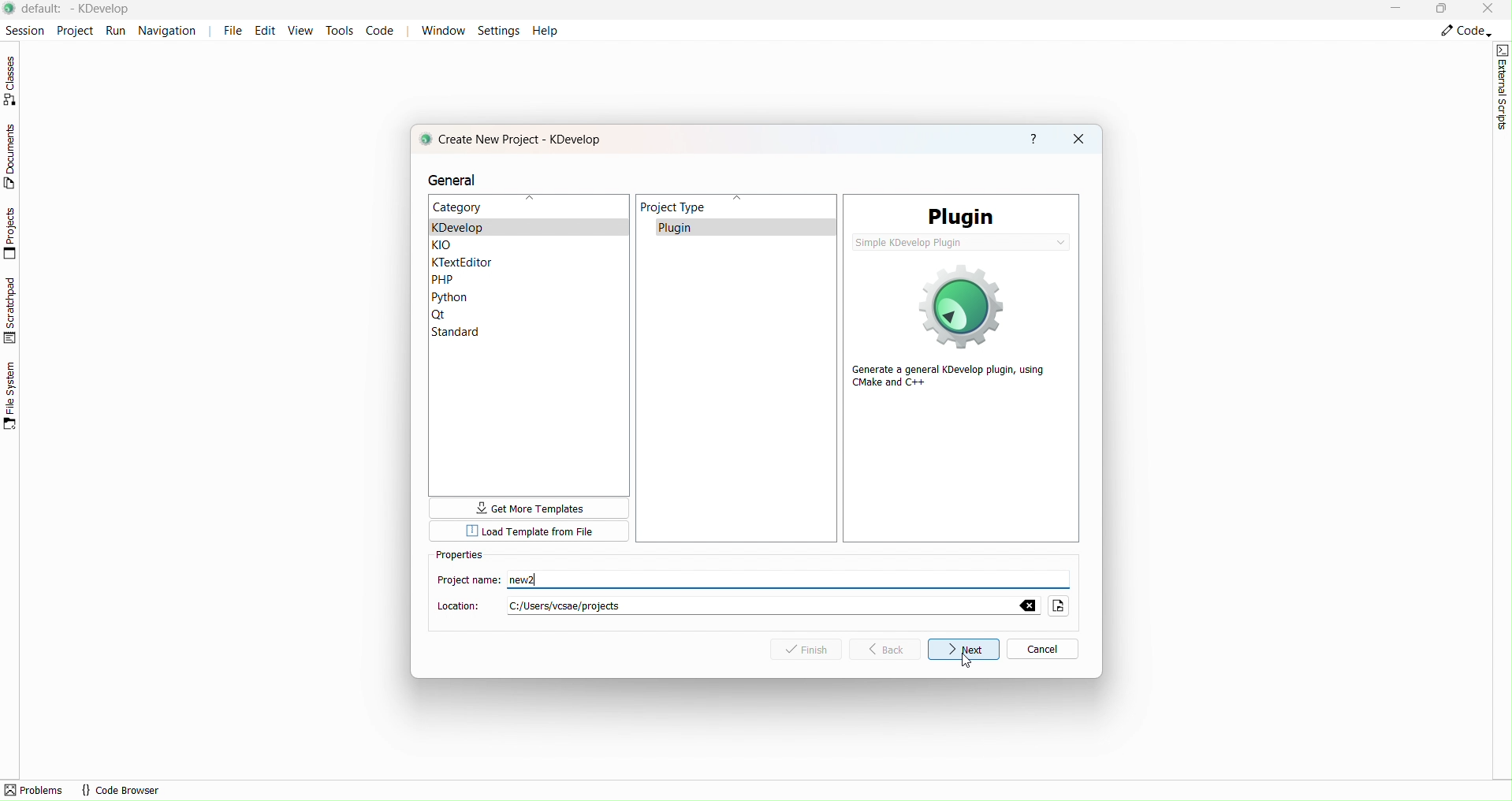 This screenshot has width=1512, height=801. I want to click on Properties, so click(462, 557).